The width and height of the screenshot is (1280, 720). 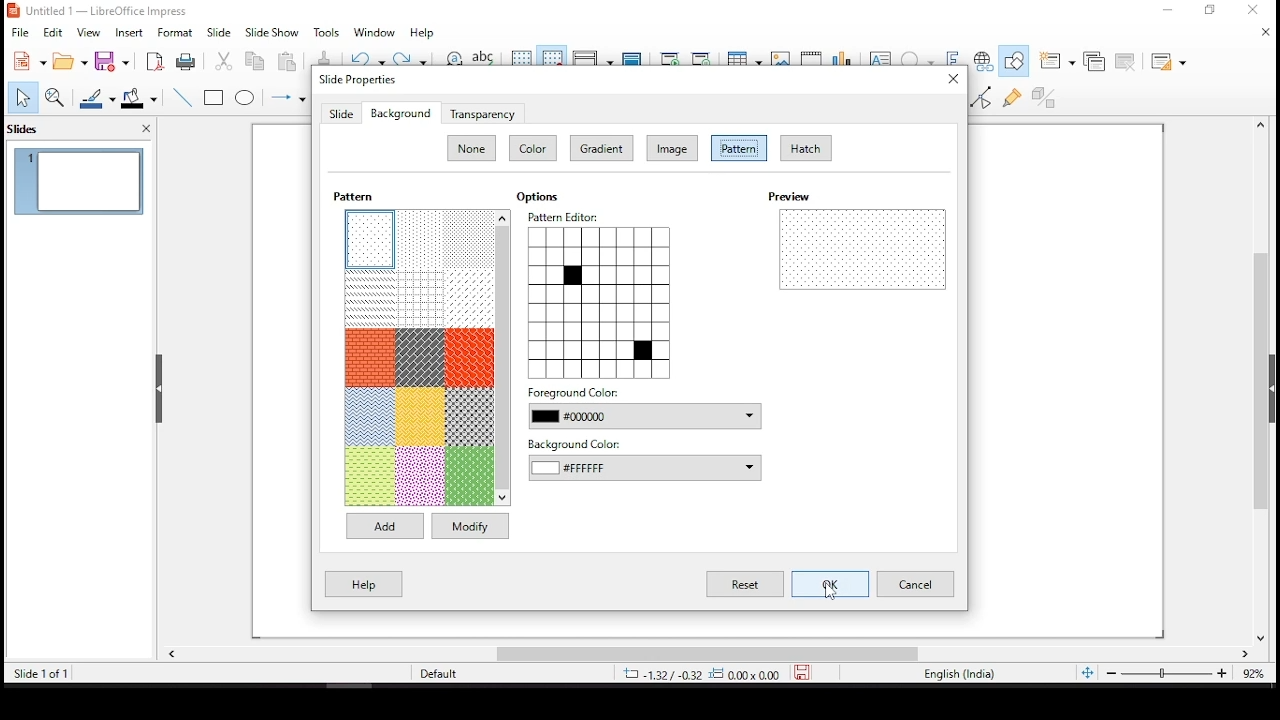 I want to click on close window, so click(x=1258, y=11).